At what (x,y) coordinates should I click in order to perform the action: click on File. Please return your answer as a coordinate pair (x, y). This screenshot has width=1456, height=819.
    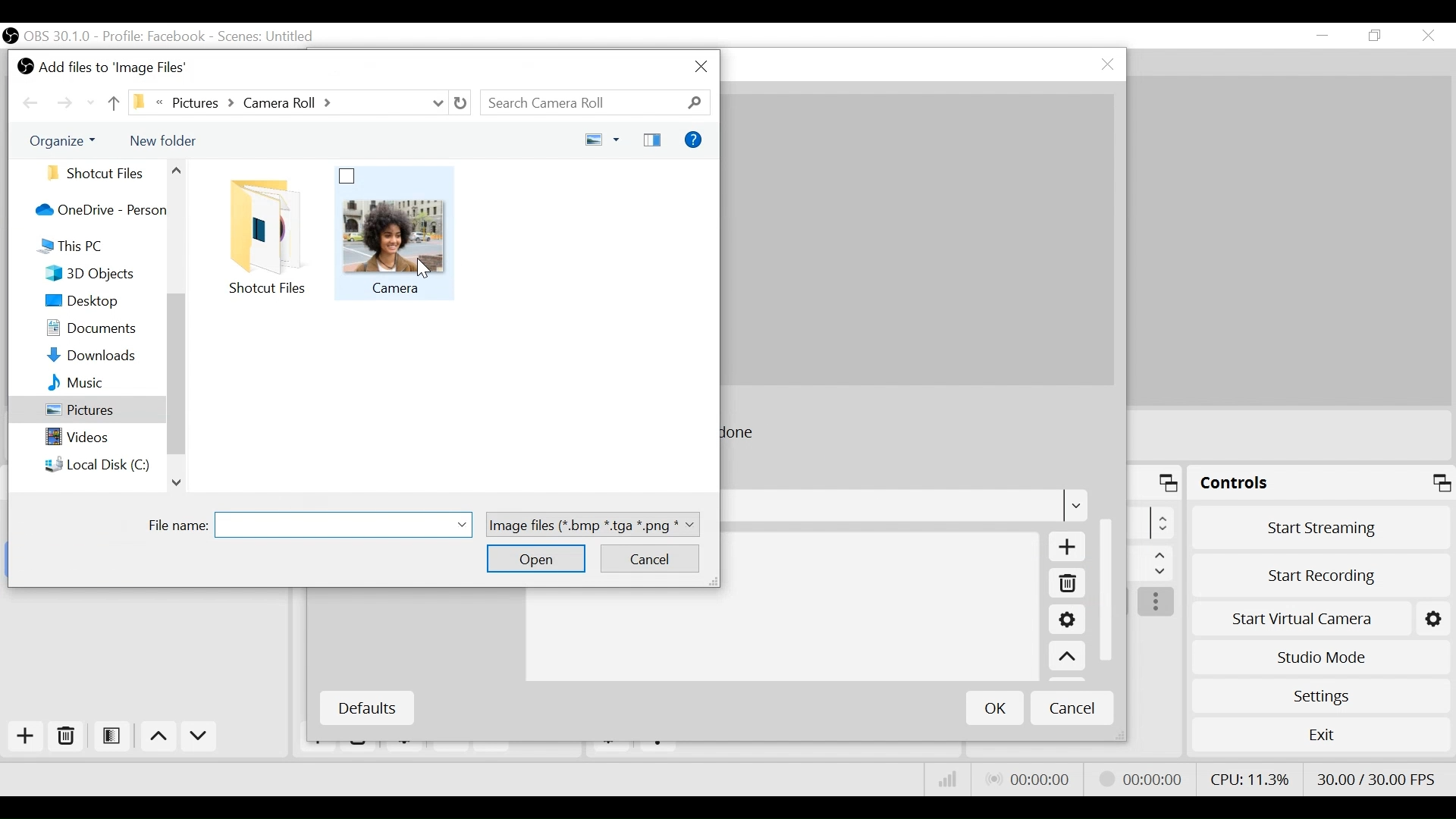
    Looking at the image, I should click on (397, 234).